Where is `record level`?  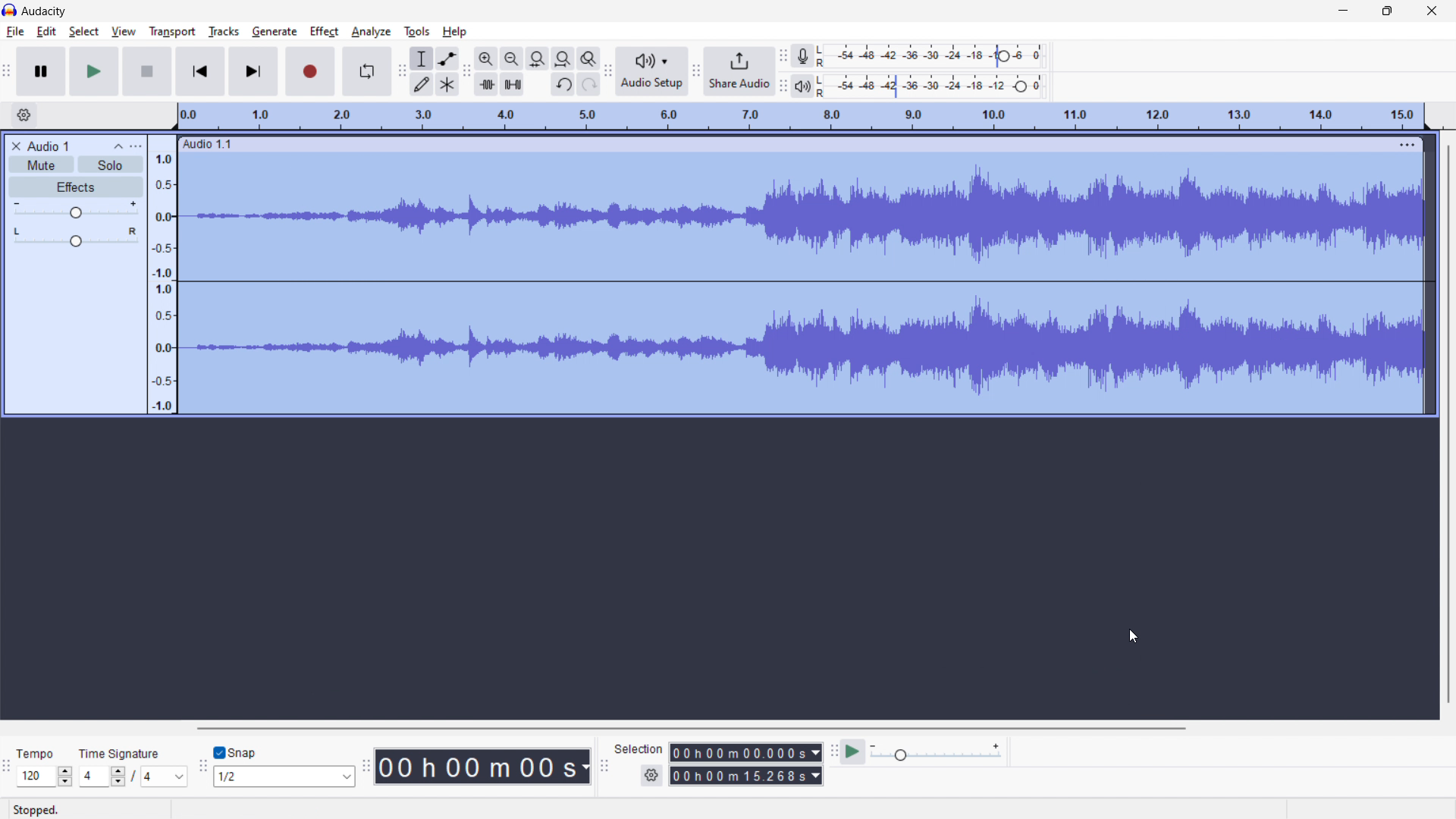 record level is located at coordinates (935, 56).